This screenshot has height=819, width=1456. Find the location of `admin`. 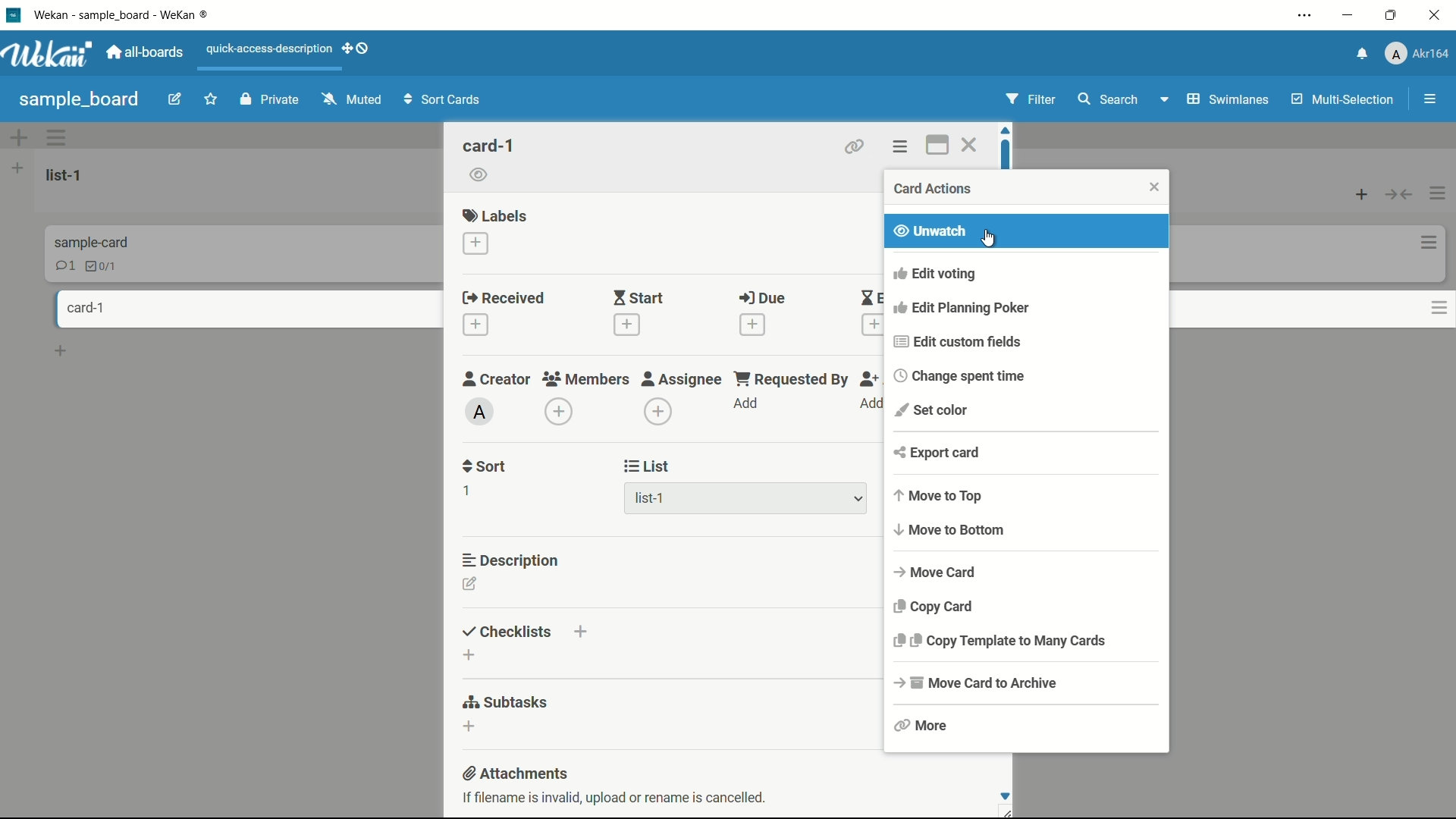

admin is located at coordinates (479, 411).